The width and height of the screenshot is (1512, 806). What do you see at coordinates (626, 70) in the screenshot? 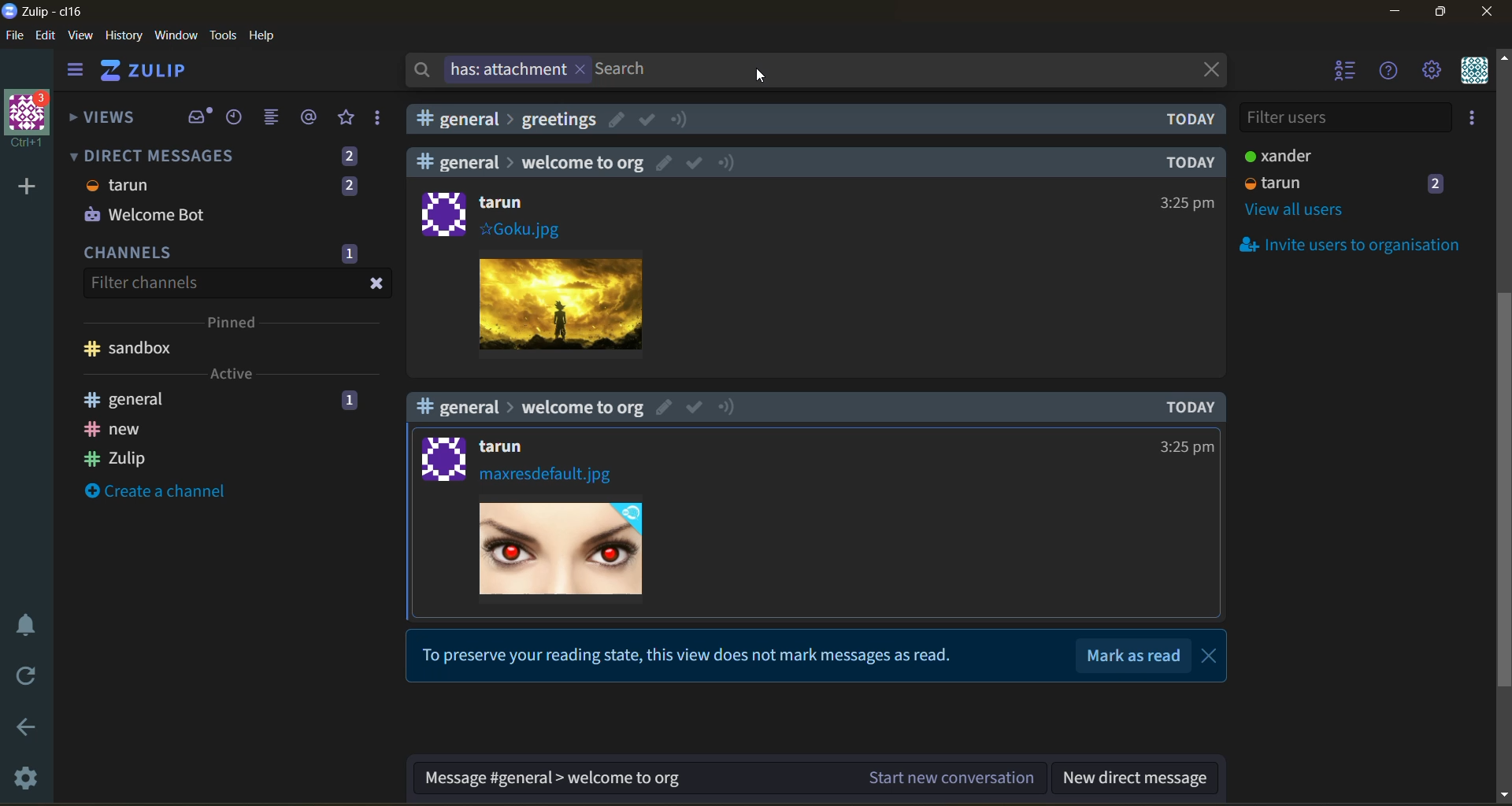
I see `Search` at bounding box center [626, 70].